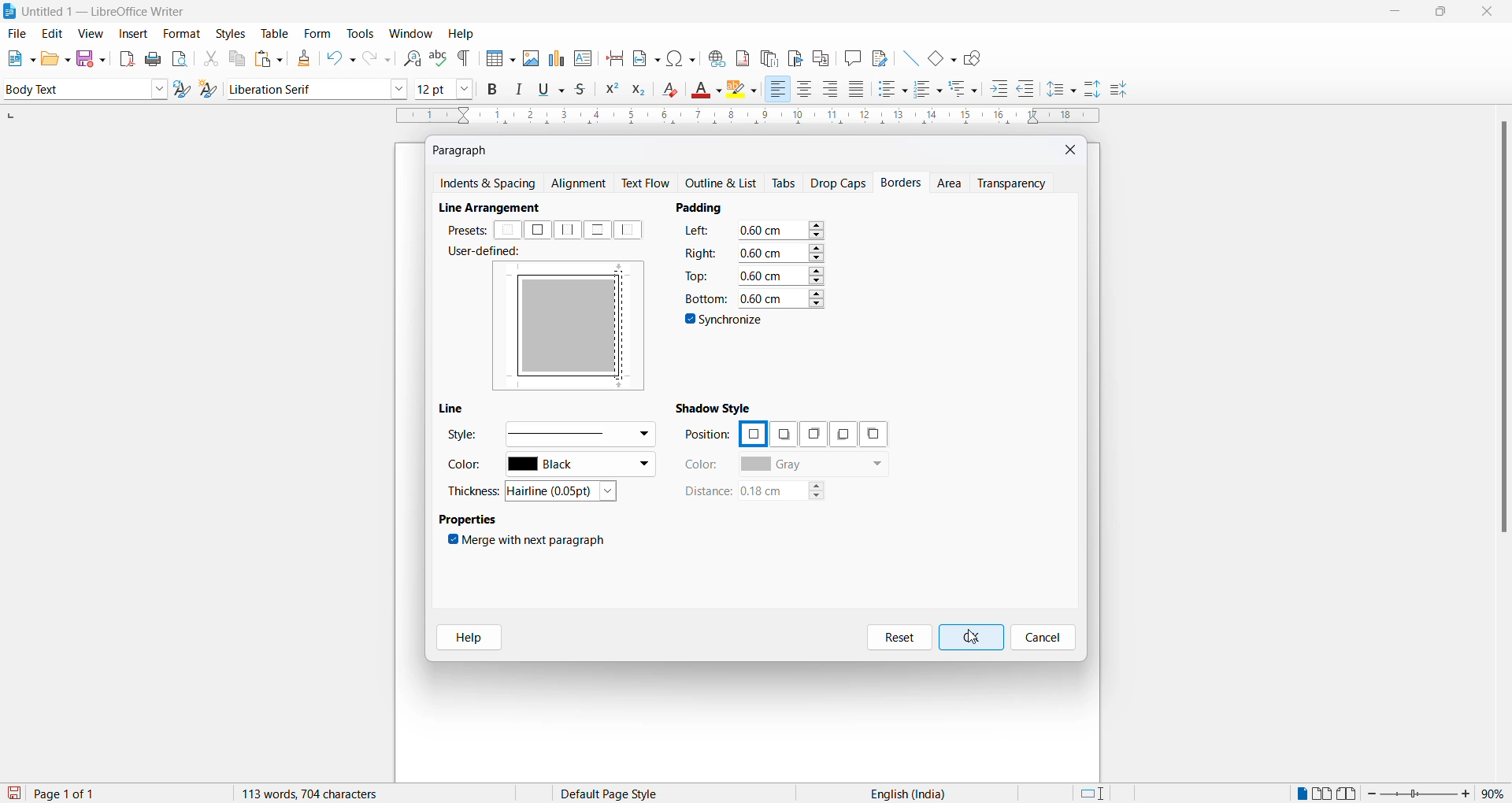 This screenshot has height=803, width=1512. I want to click on reset, so click(899, 638).